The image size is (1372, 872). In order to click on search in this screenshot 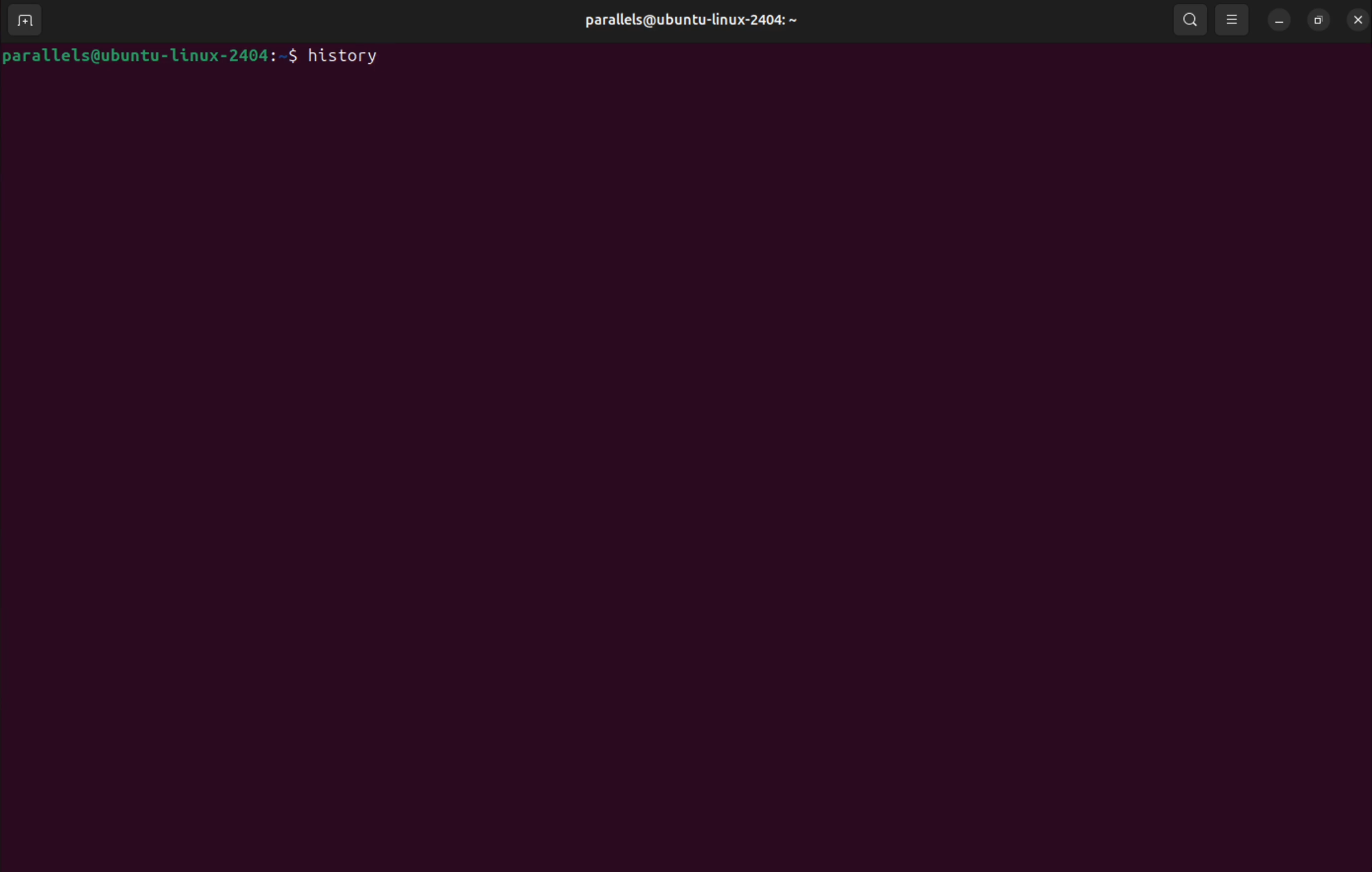, I will do `click(1189, 19)`.